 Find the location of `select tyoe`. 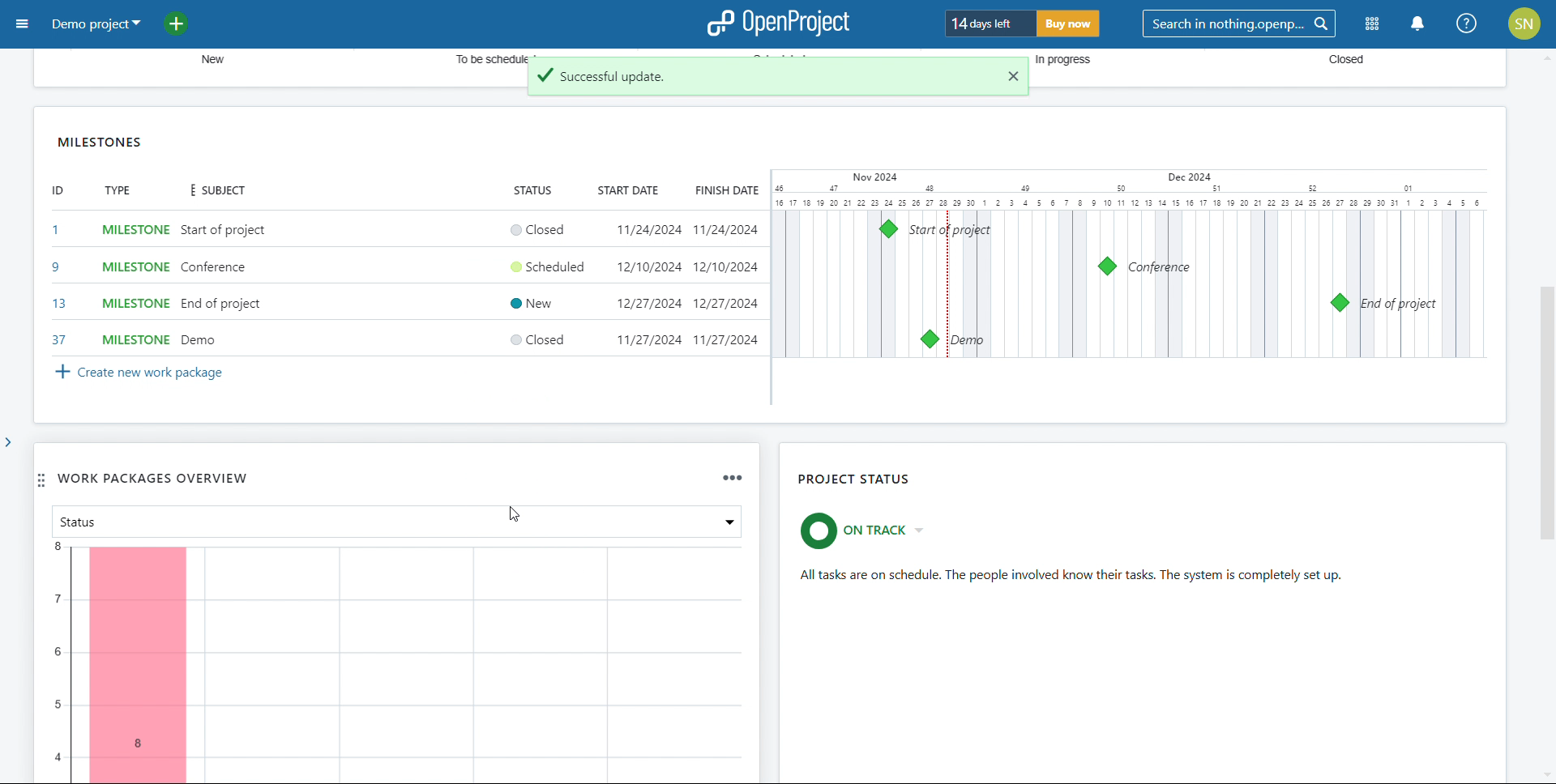

select tyoe is located at coordinates (136, 285).